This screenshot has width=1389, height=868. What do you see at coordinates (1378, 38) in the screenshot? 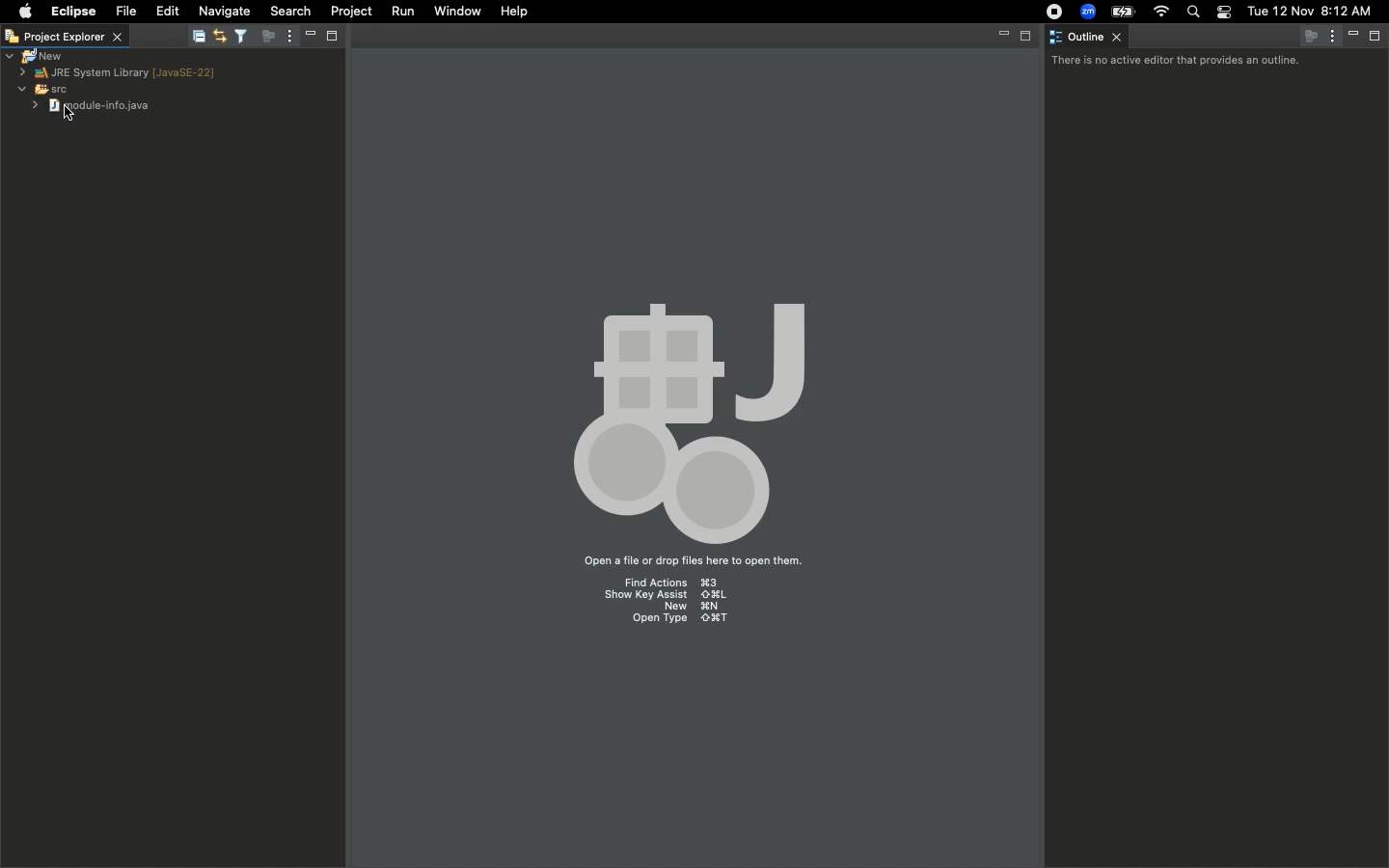
I see `Maximize` at bounding box center [1378, 38].